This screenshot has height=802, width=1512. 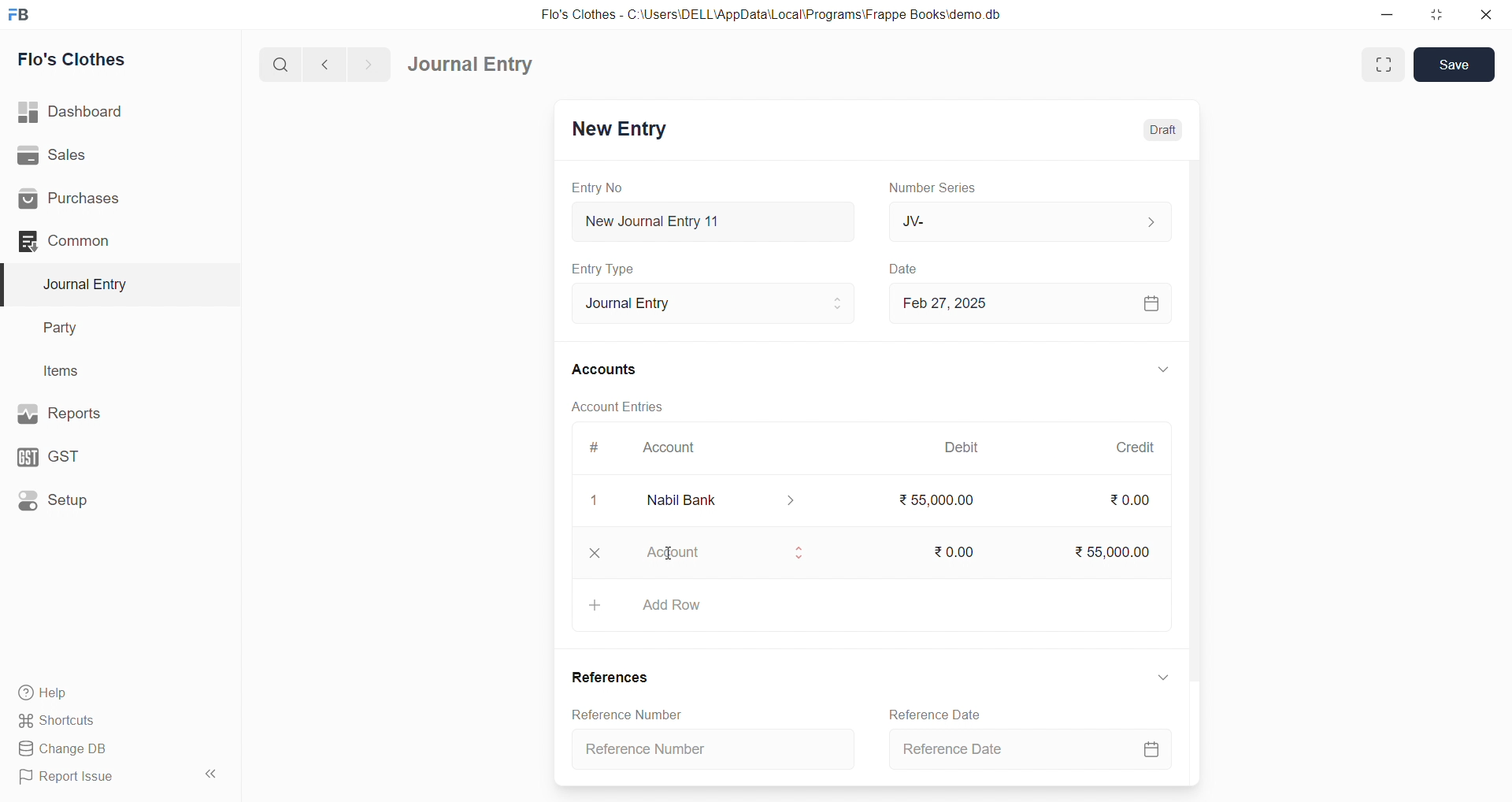 I want to click on ₹55,000.00, so click(x=1118, y=553).